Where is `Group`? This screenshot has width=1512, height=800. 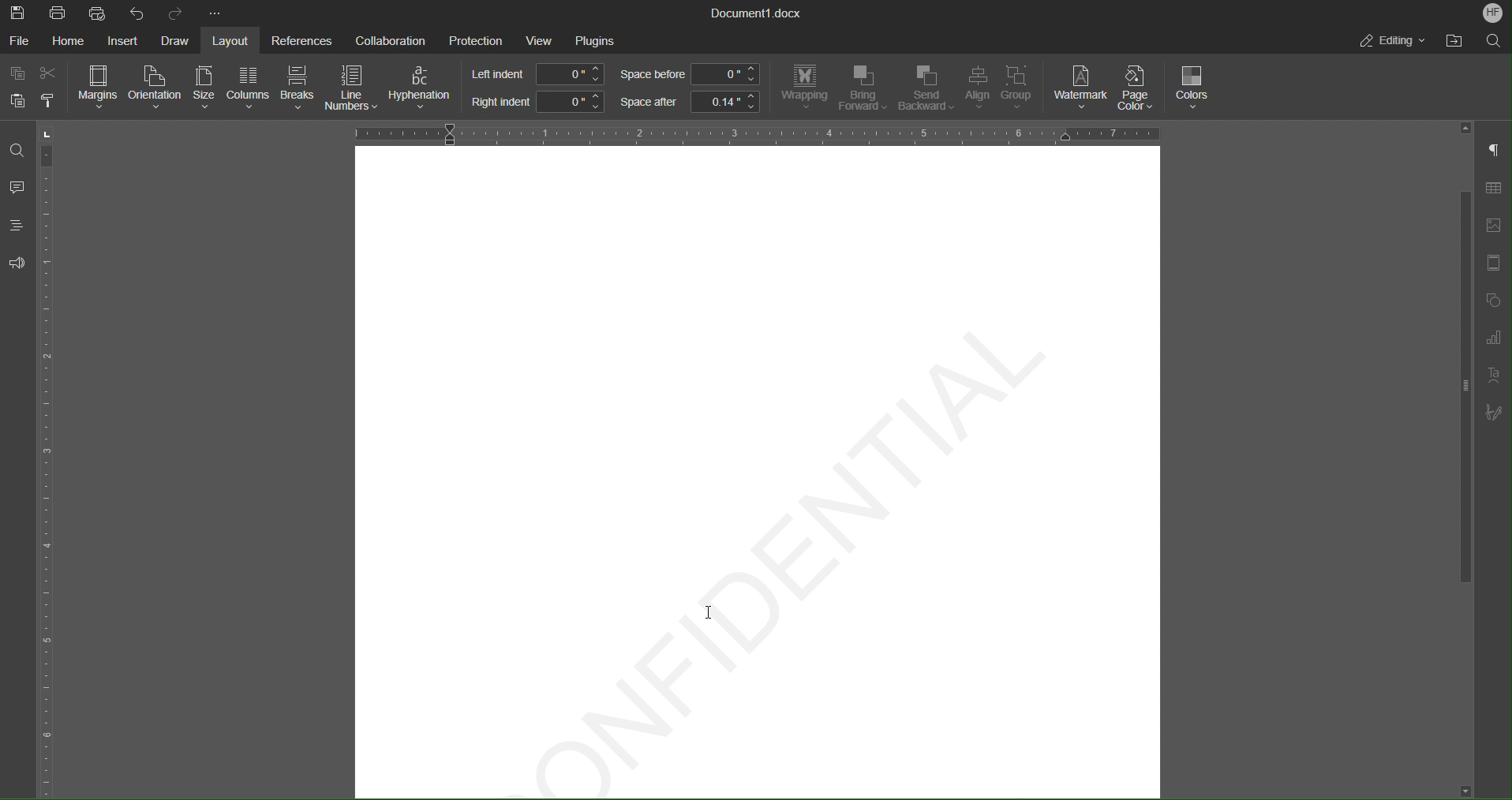 Group is located at coordinates (1022, 90).